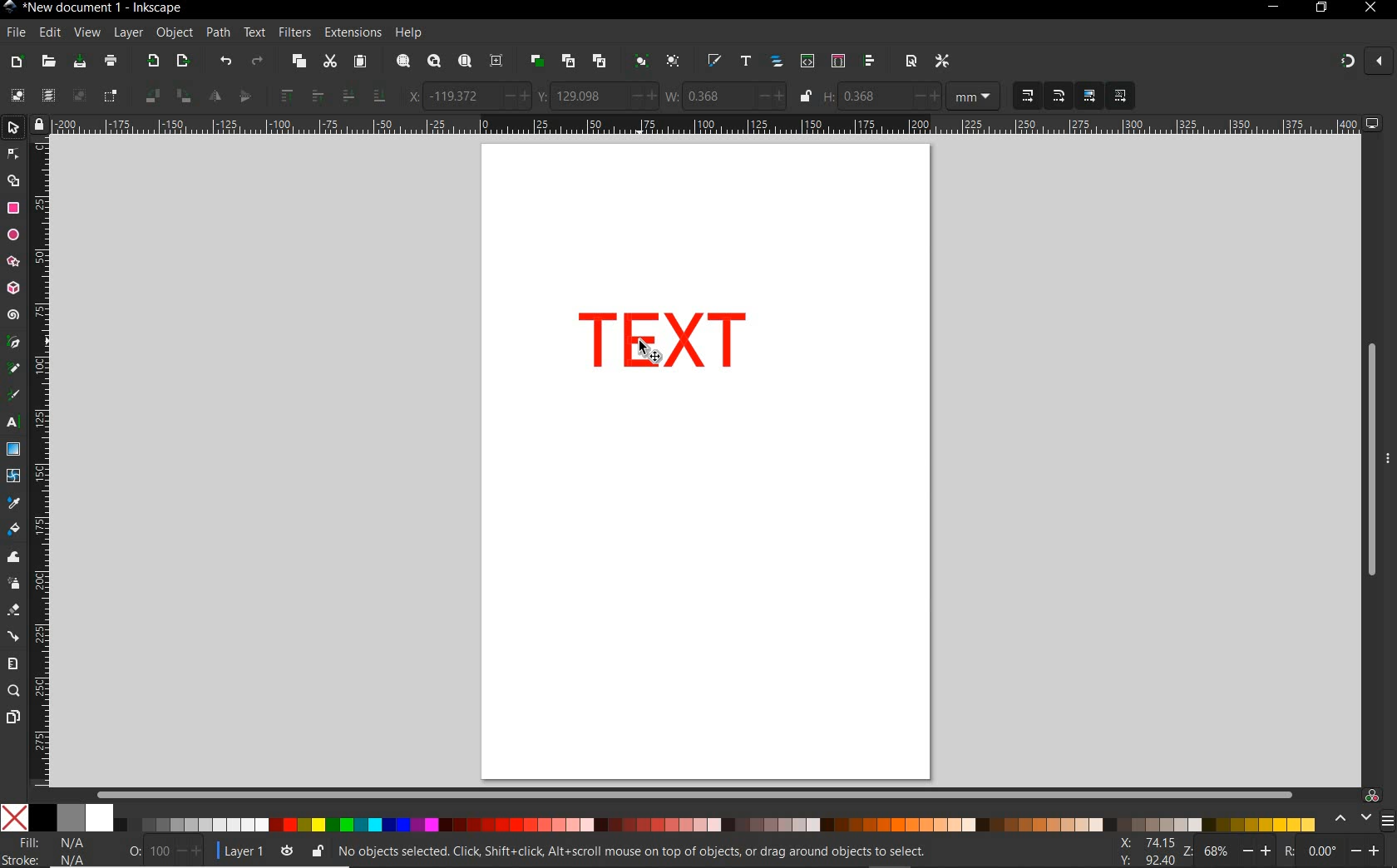  I want to click on NEW, so click(16, 62).